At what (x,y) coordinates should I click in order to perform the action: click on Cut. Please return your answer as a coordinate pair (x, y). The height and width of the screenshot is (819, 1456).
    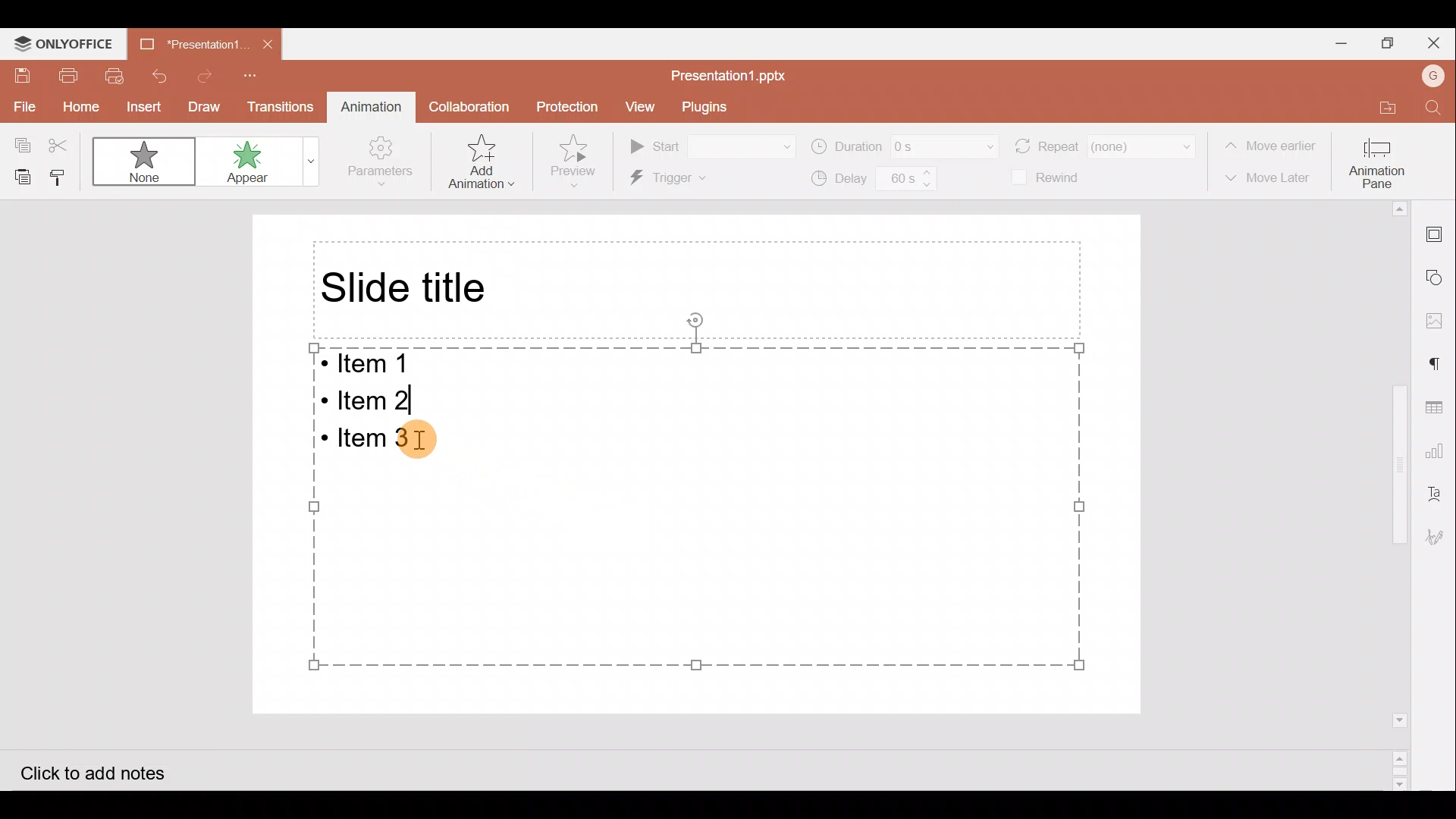
    Looking at the image, I should click on (61, 143).